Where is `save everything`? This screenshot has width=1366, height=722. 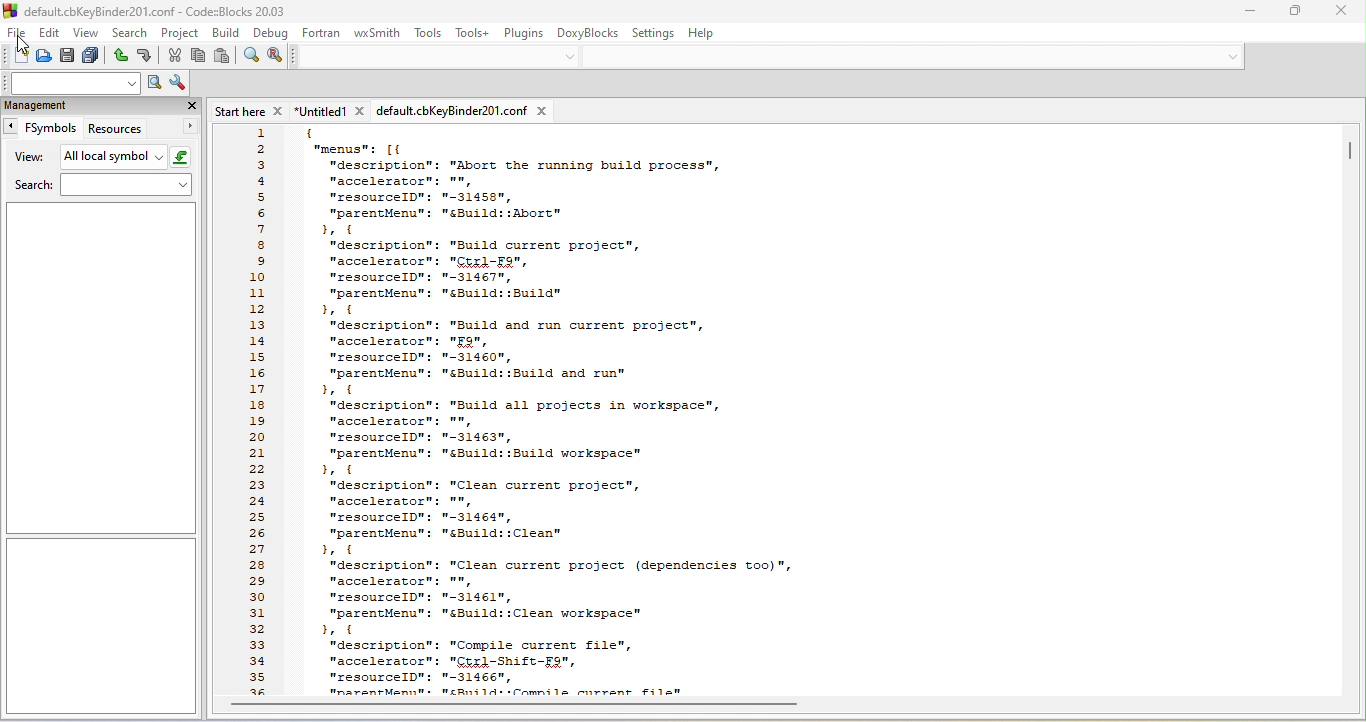 save everything is located at coordinates (92, 55).